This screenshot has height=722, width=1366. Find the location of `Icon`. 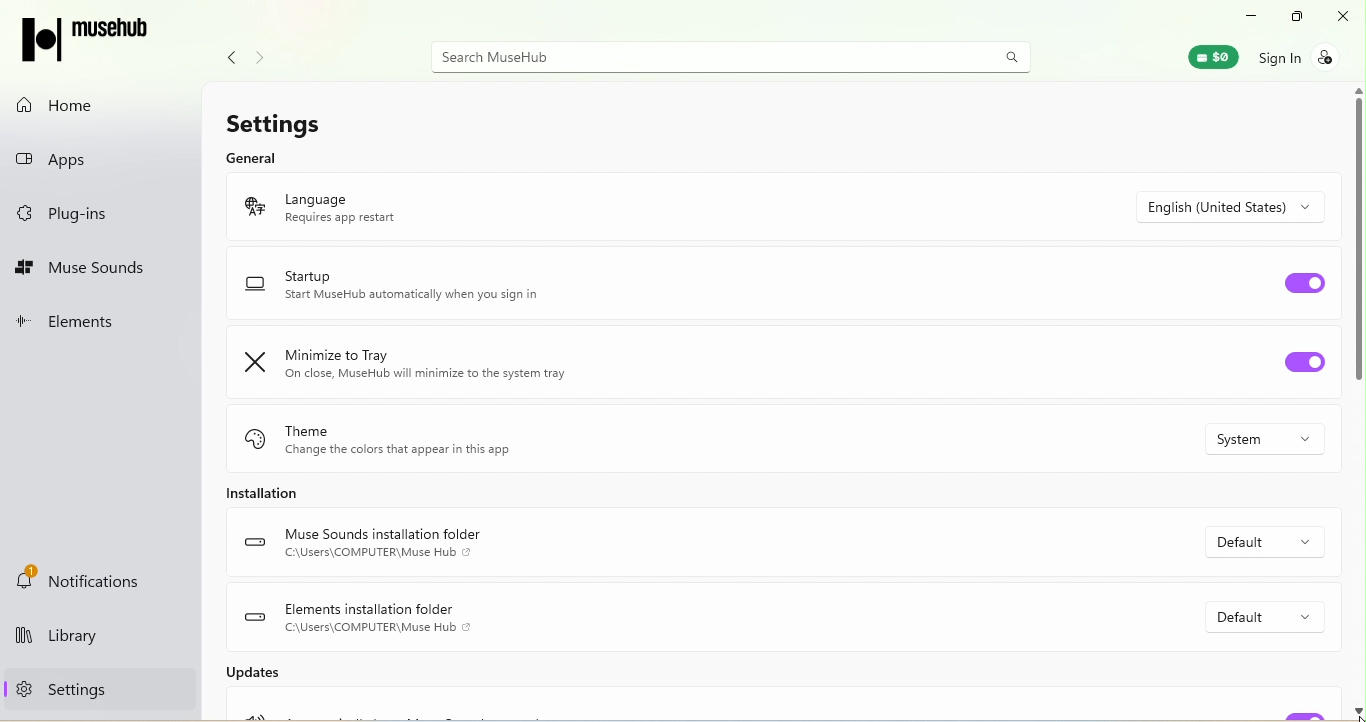

Icon is located at coordinates (256, 542).